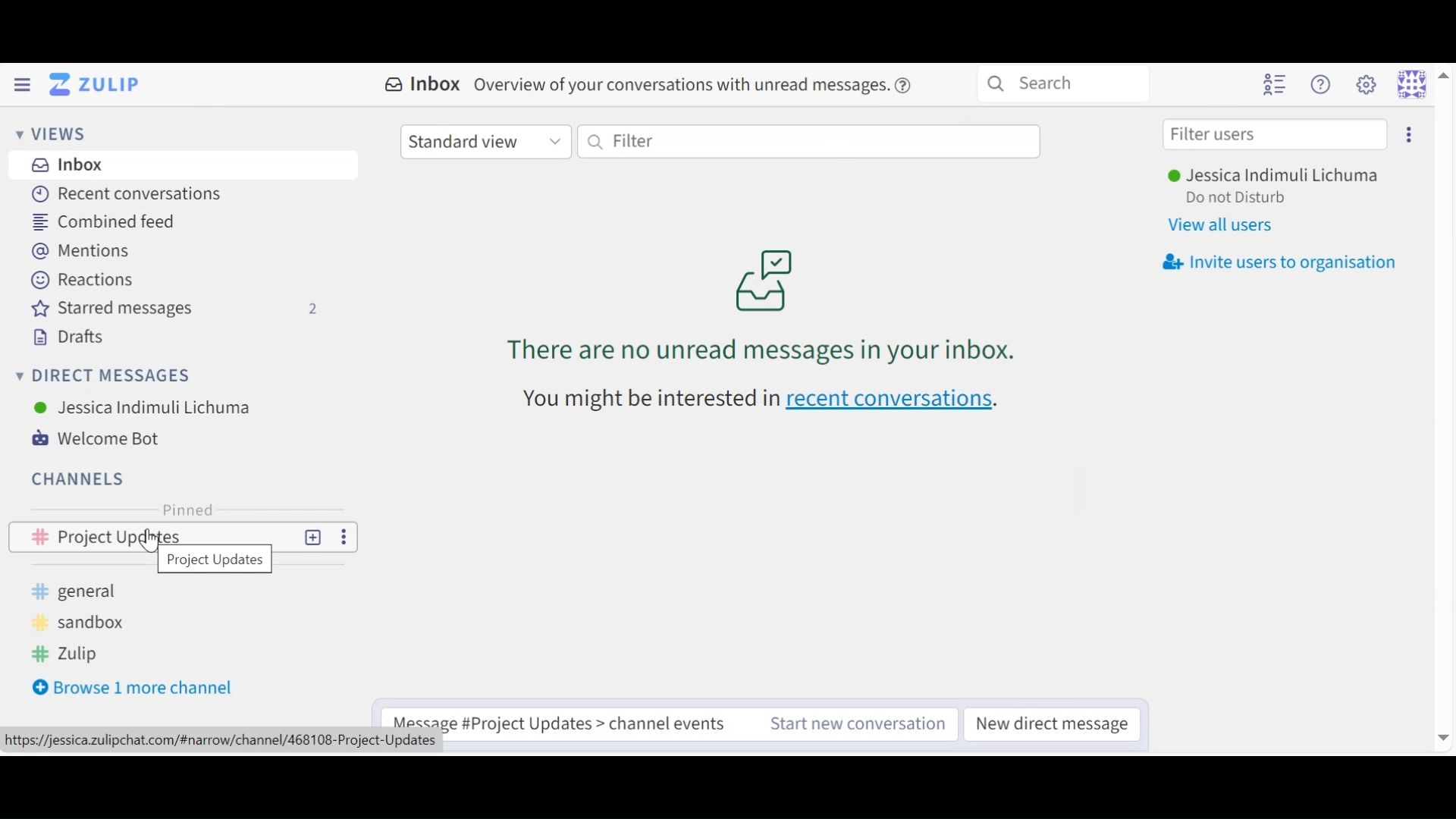  I want to click on Inbox, so click(72, 165).